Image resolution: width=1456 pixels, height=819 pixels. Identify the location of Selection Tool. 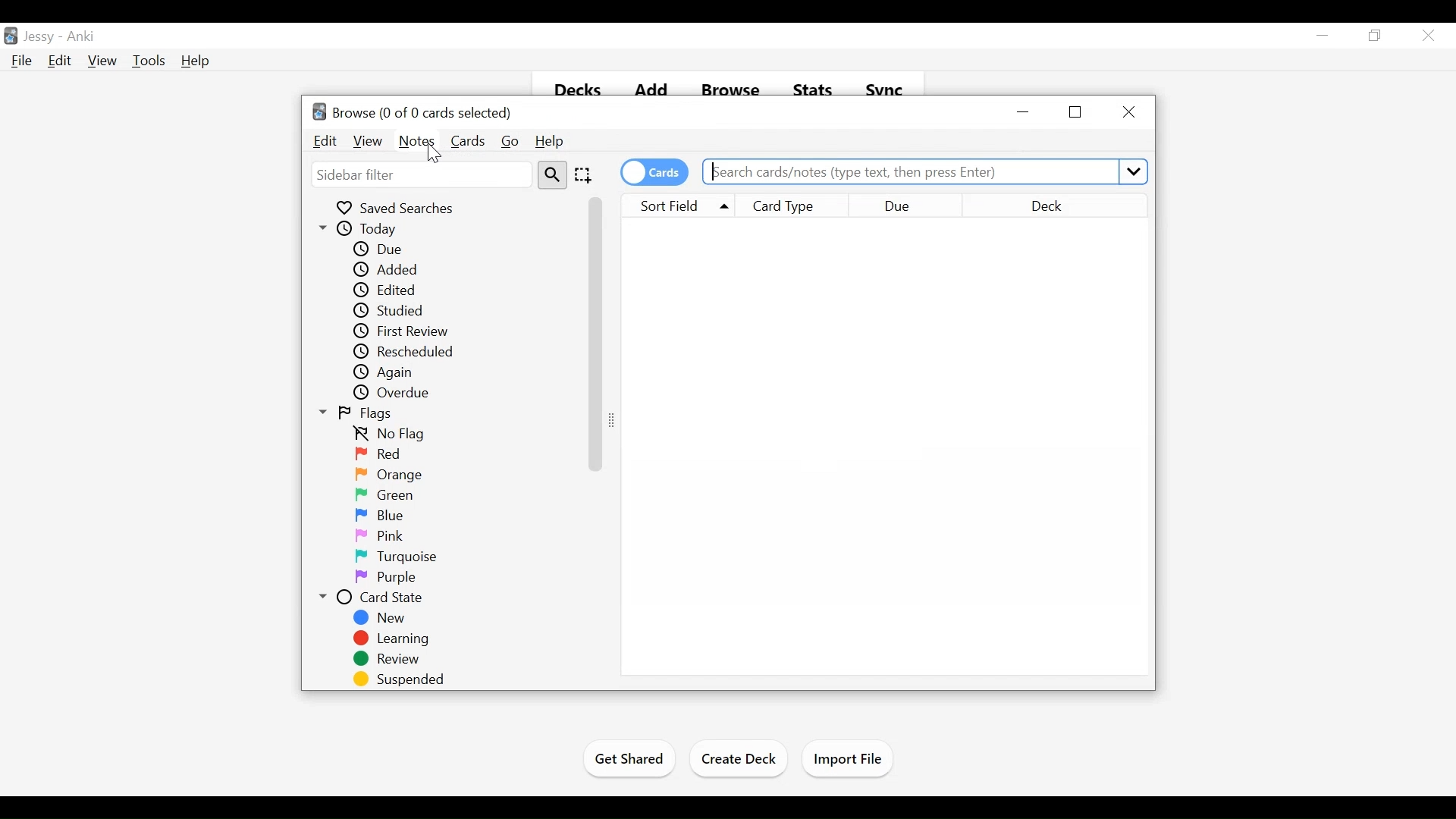
(585, 176).